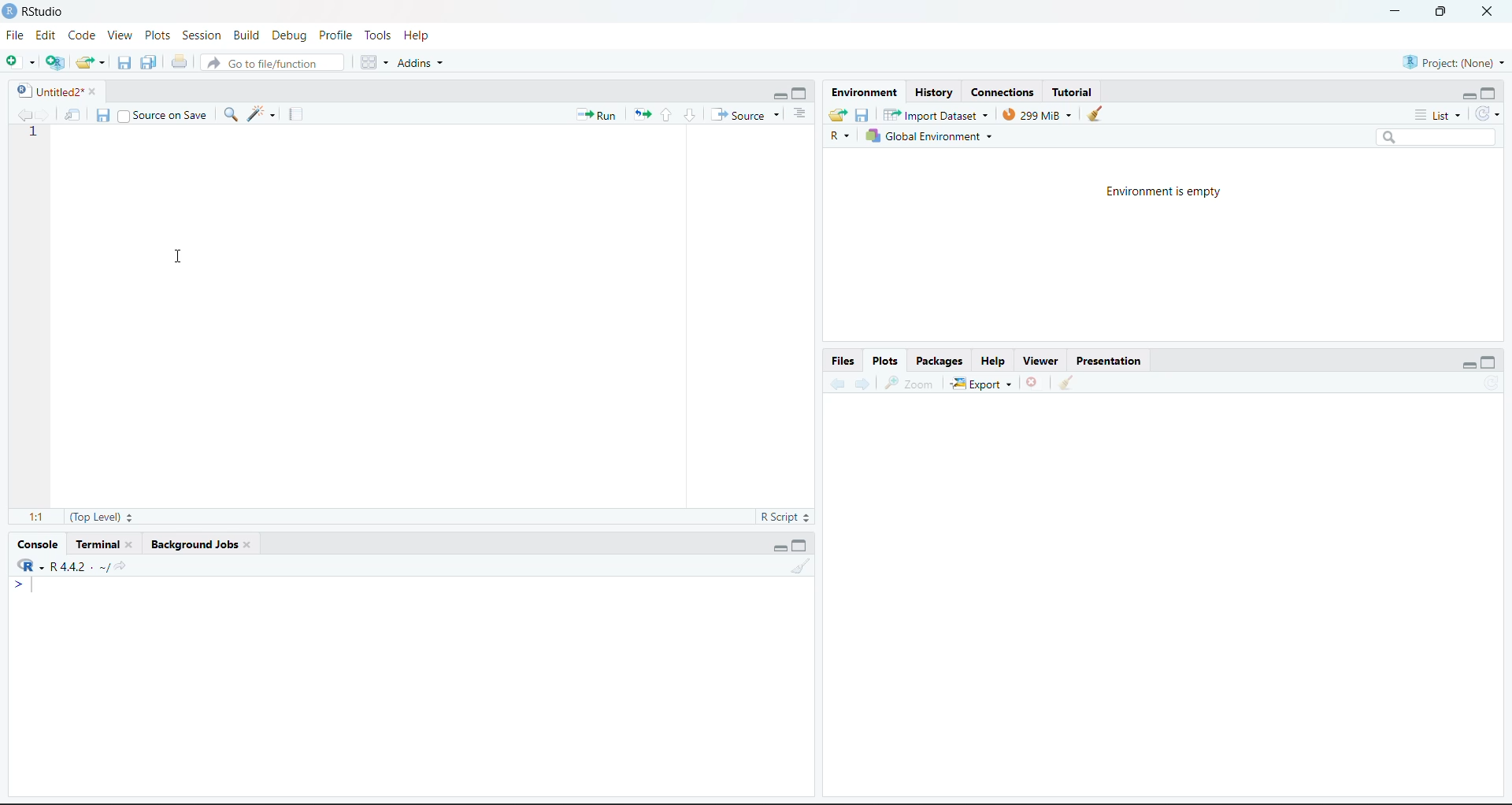  What do you see at coordinates (120, 34) in the screenshot?
I see `View` at bounding box center [120, 34].